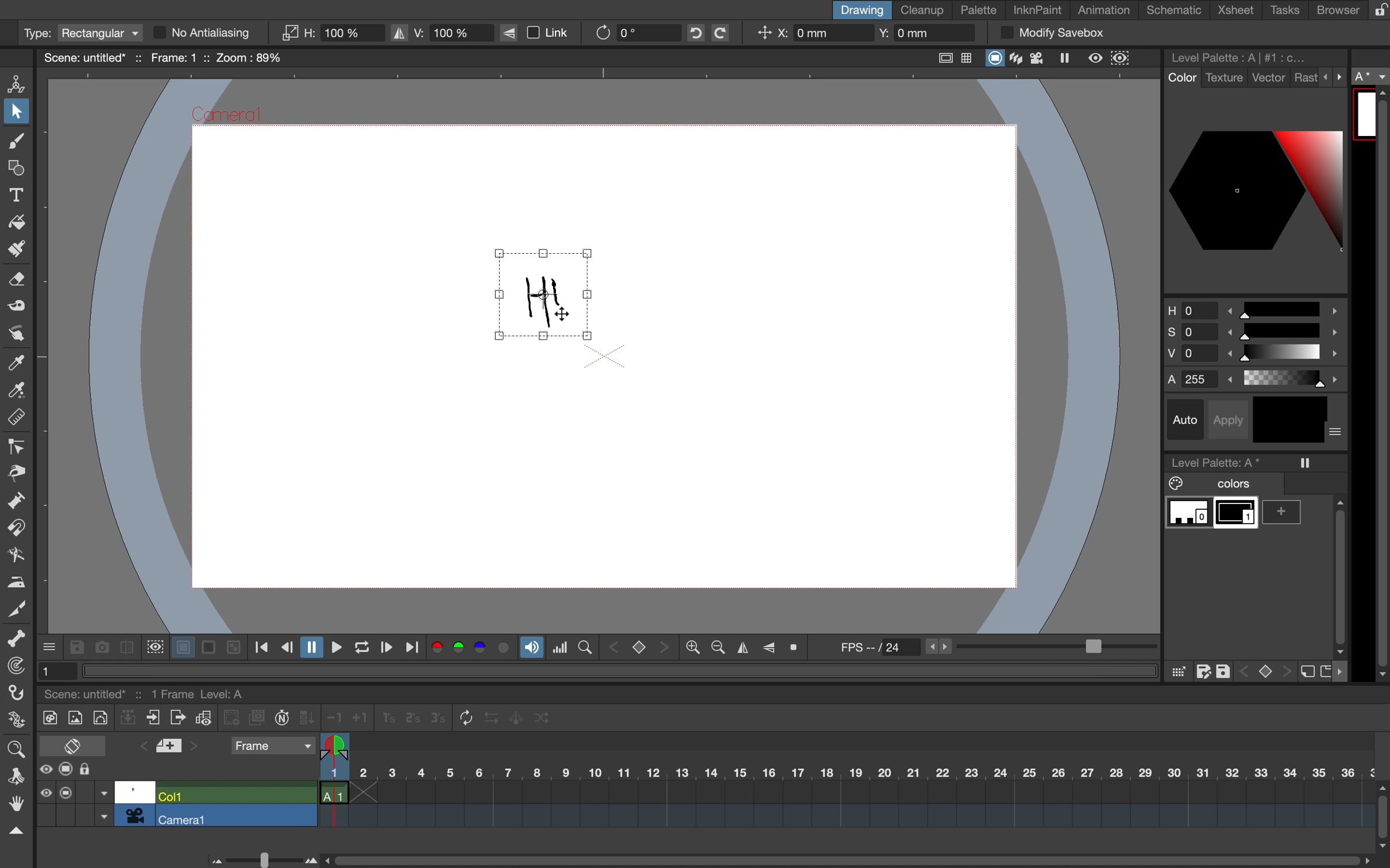  I want to click on auto input cell number, so click(282, 720).